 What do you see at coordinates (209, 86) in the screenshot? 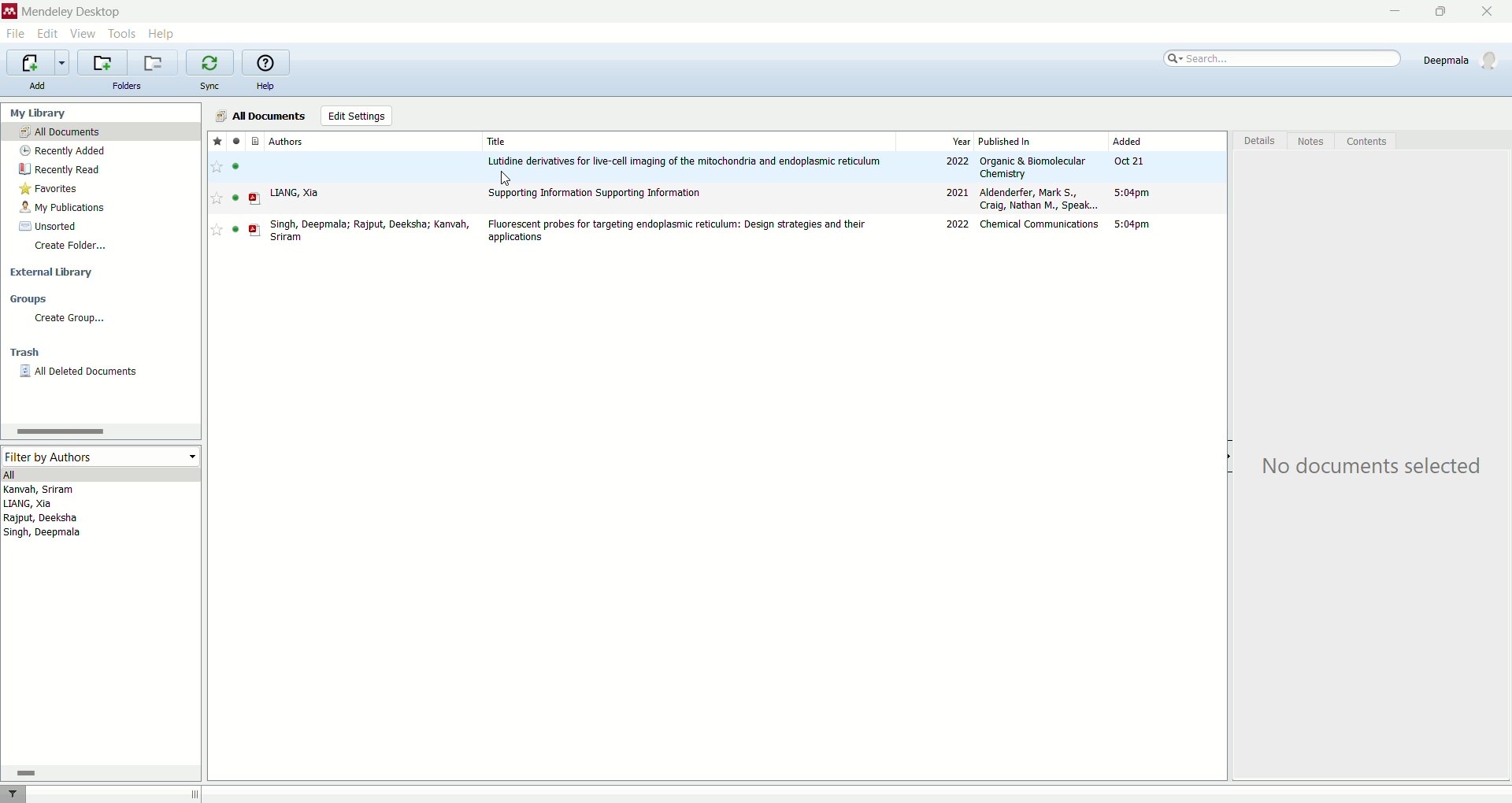
I see `sync` at bounding box center [209, 86].